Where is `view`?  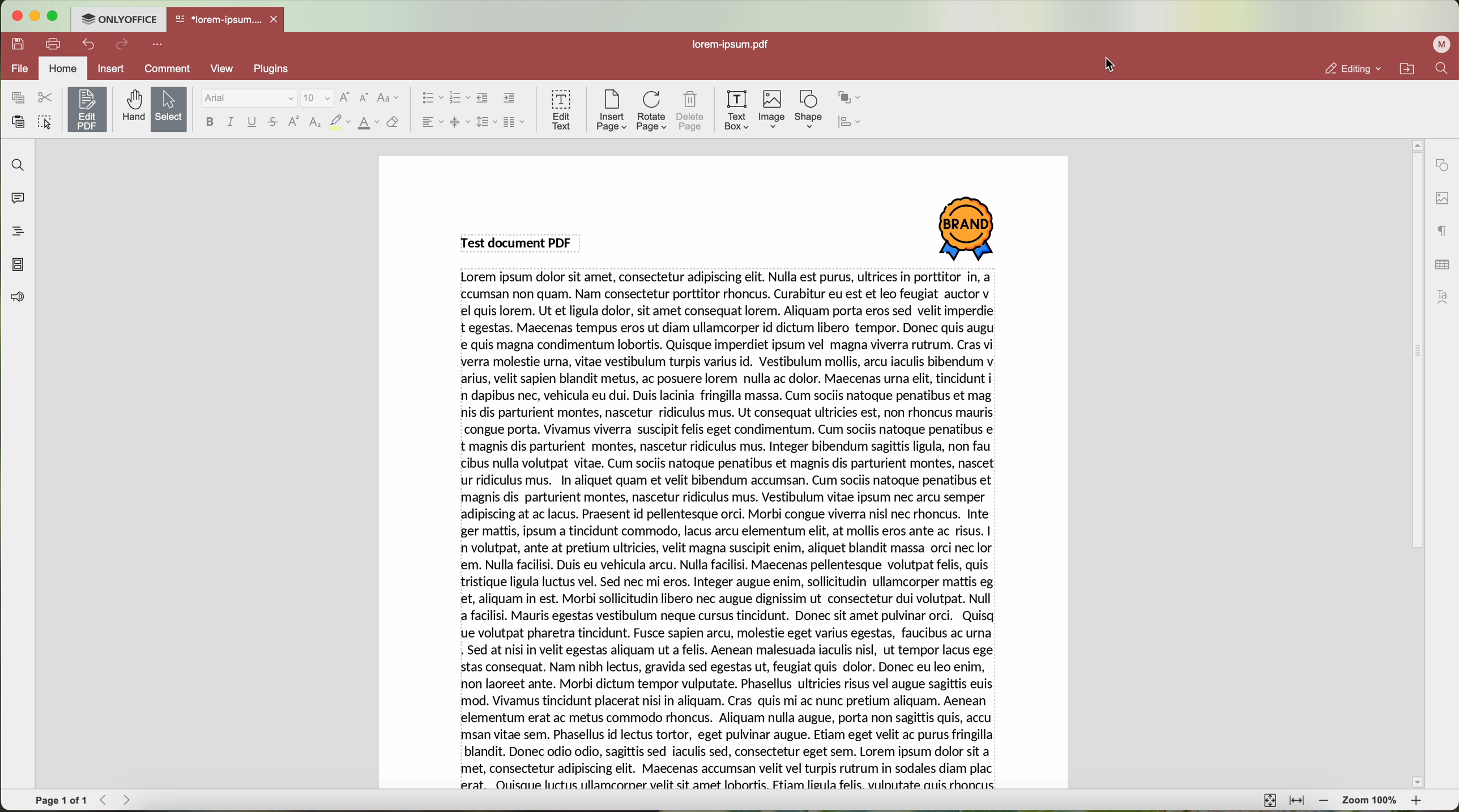
view is located at coordinates (226, 69).